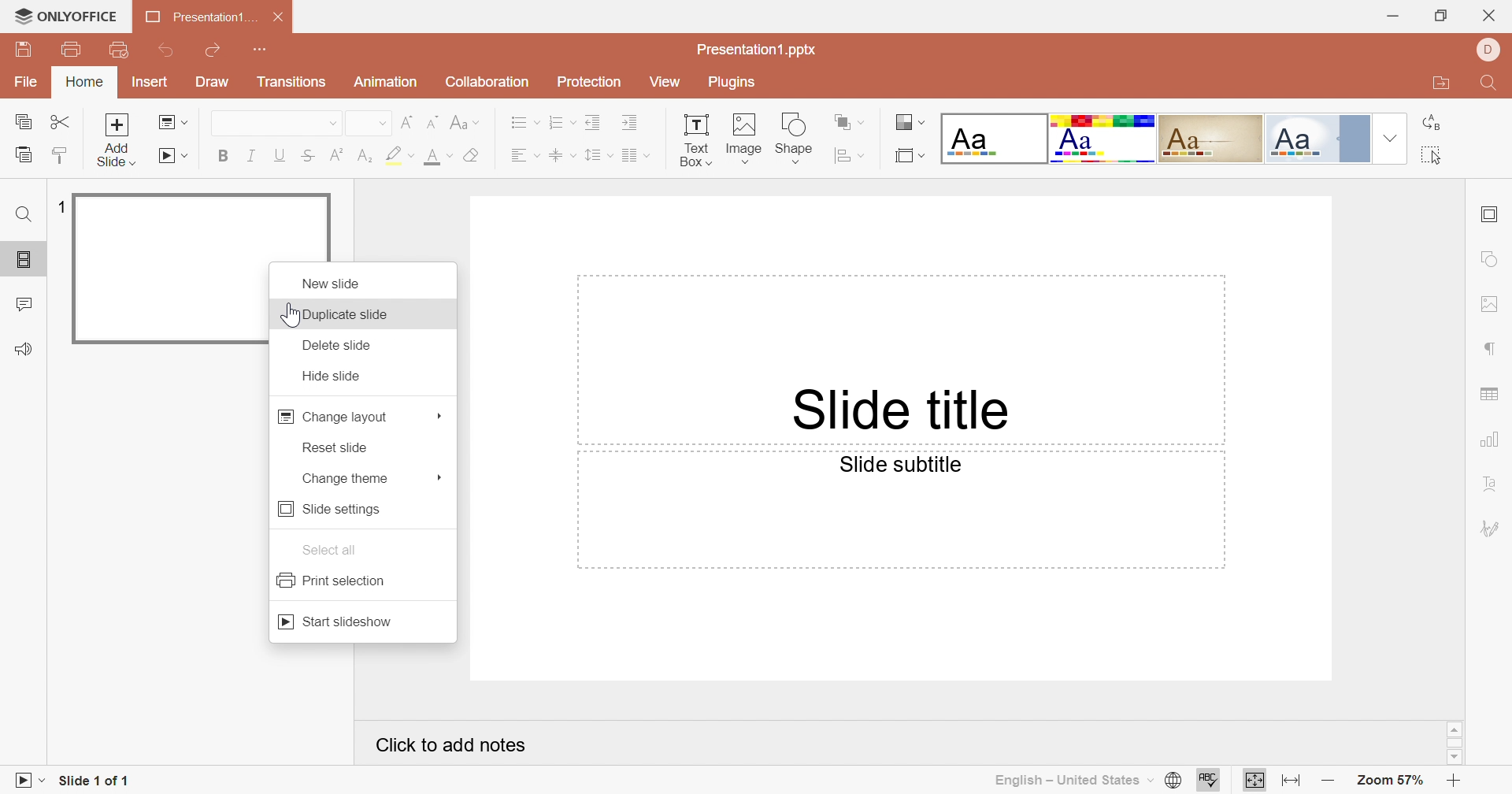  Describe the element at coordinates (333, 282) in the screenshot. I see `New slide` at that location.